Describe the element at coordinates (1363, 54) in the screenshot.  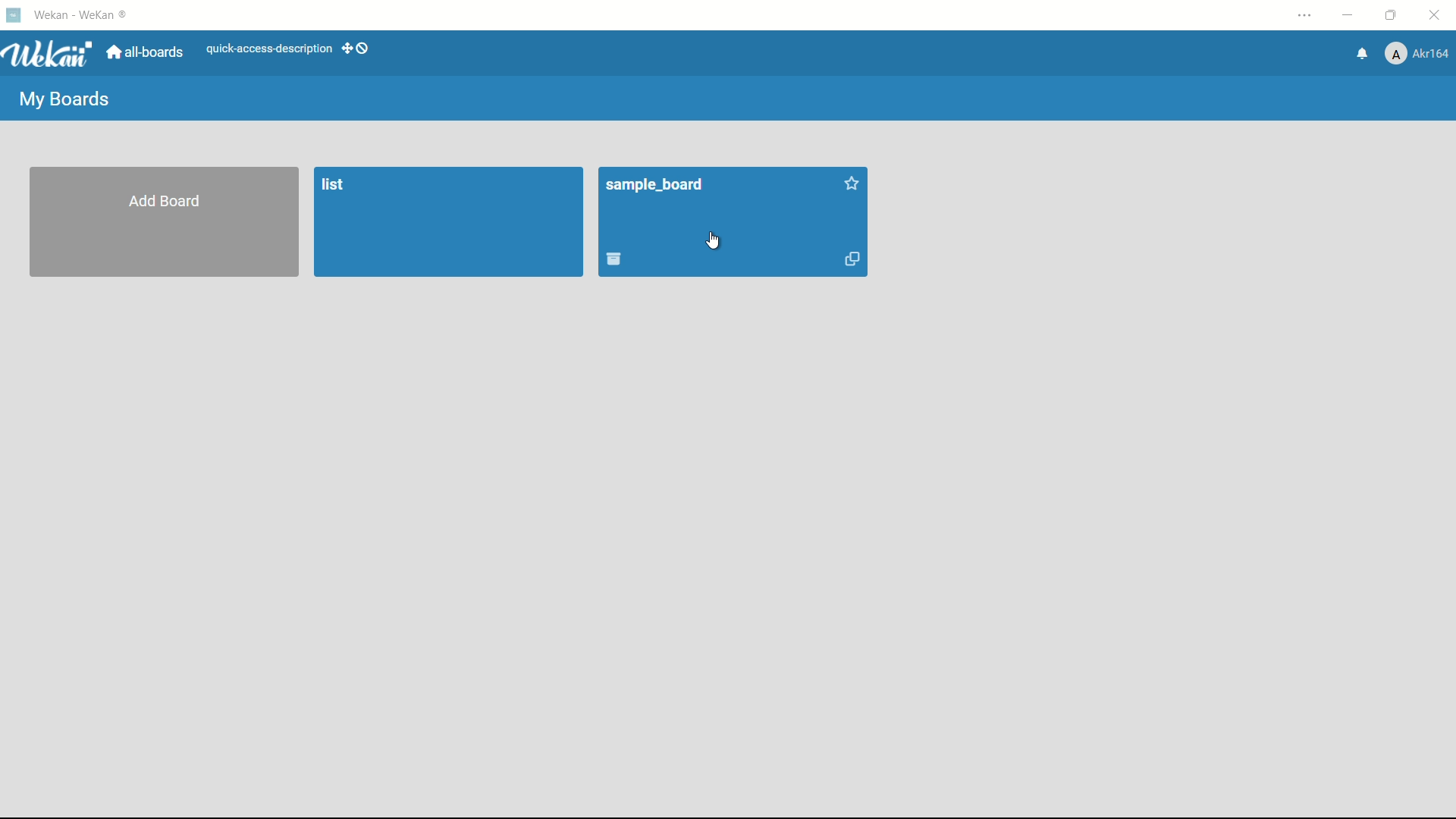
I see `notifications` at that location.